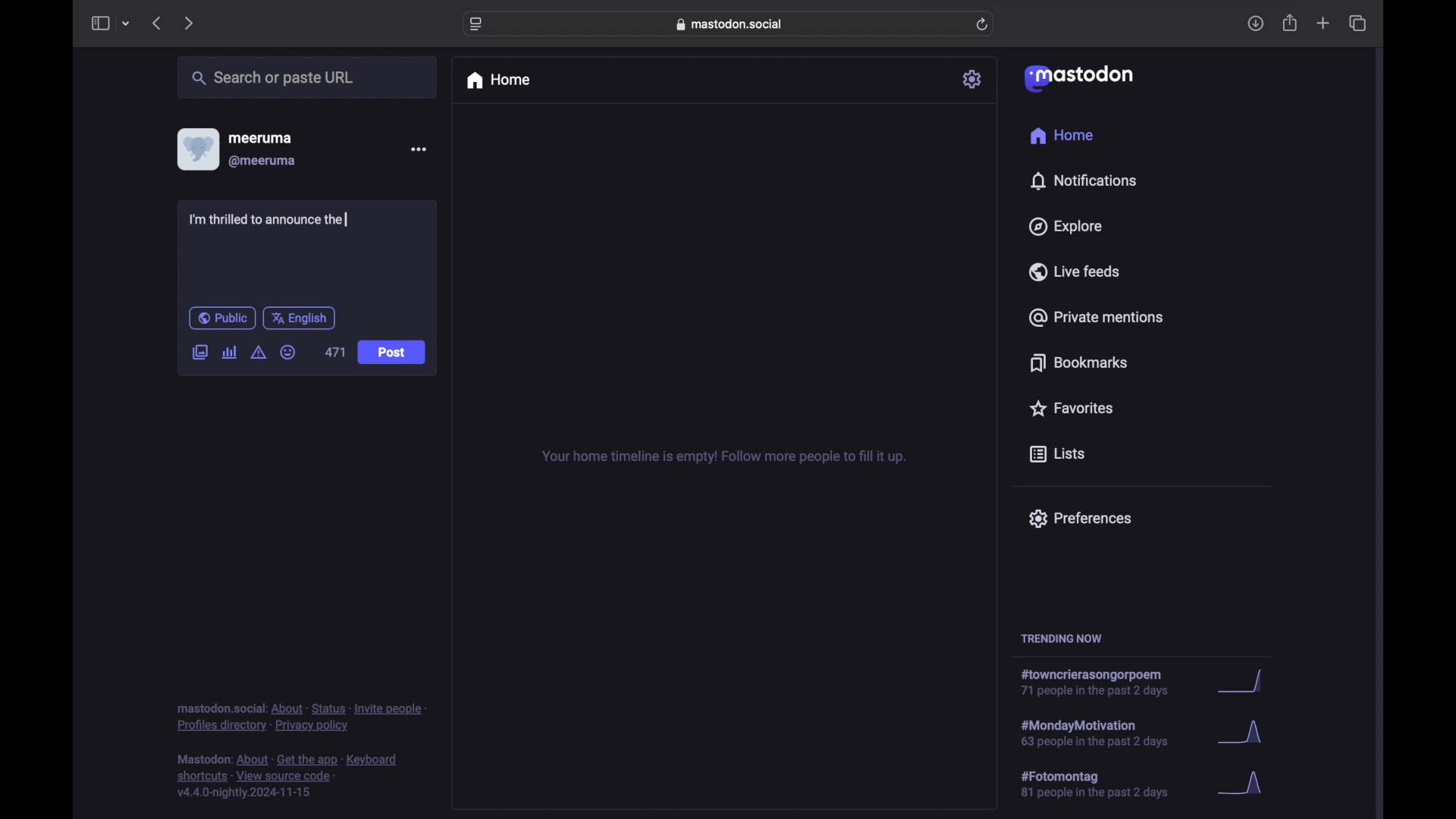 The image size is (1456, 819). I want to click on show tab overview, so click(1359, 23).